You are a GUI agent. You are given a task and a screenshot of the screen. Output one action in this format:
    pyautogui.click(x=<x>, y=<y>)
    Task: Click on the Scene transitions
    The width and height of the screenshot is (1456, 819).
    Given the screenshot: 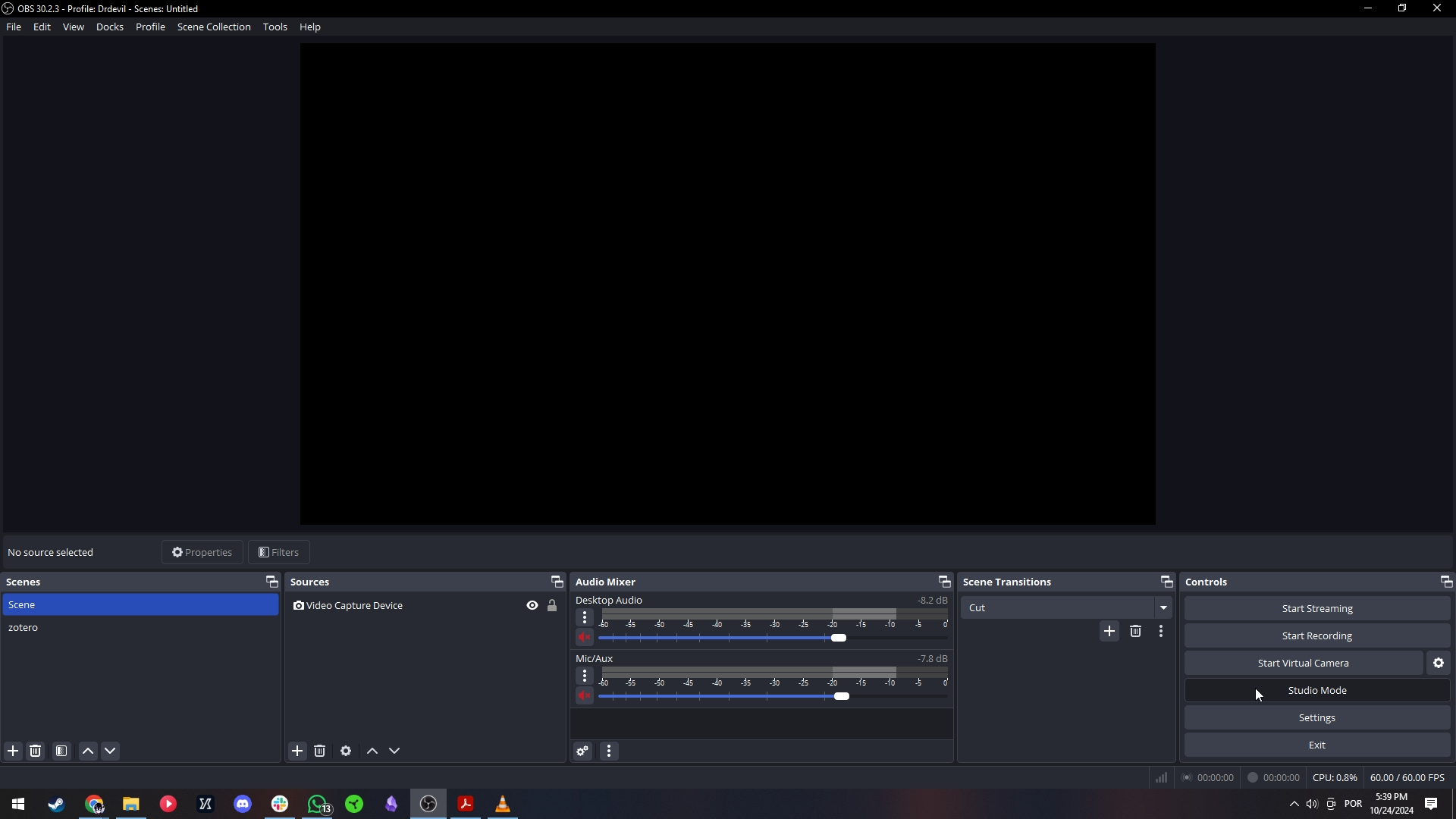 What is the action you would take?
    pyautogui.click(x=1056, y=582)
    